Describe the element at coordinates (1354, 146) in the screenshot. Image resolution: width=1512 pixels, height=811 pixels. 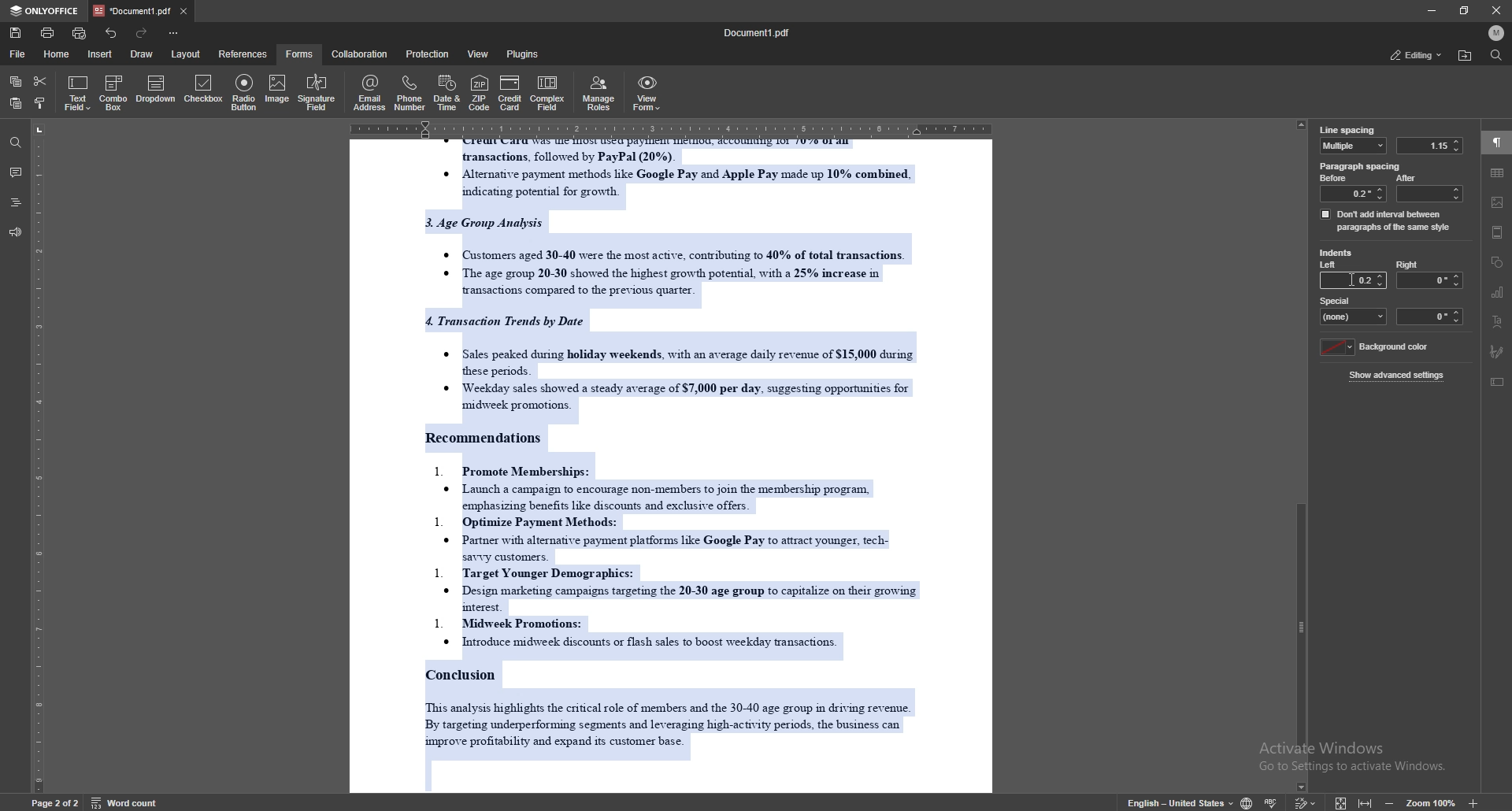
I see `line spacing type` at that location.